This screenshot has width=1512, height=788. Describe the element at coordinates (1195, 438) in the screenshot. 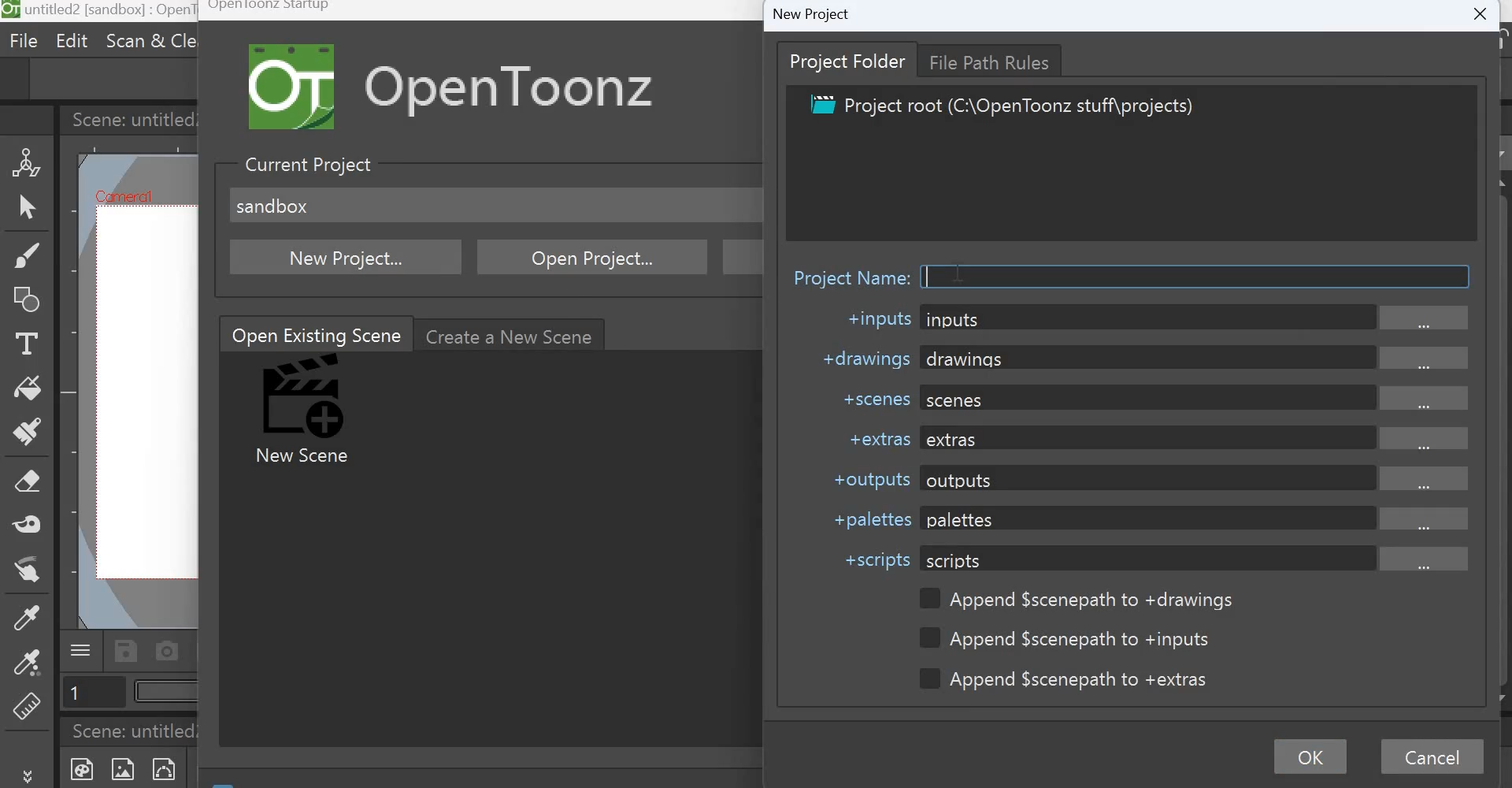

I see `extras` at that location.